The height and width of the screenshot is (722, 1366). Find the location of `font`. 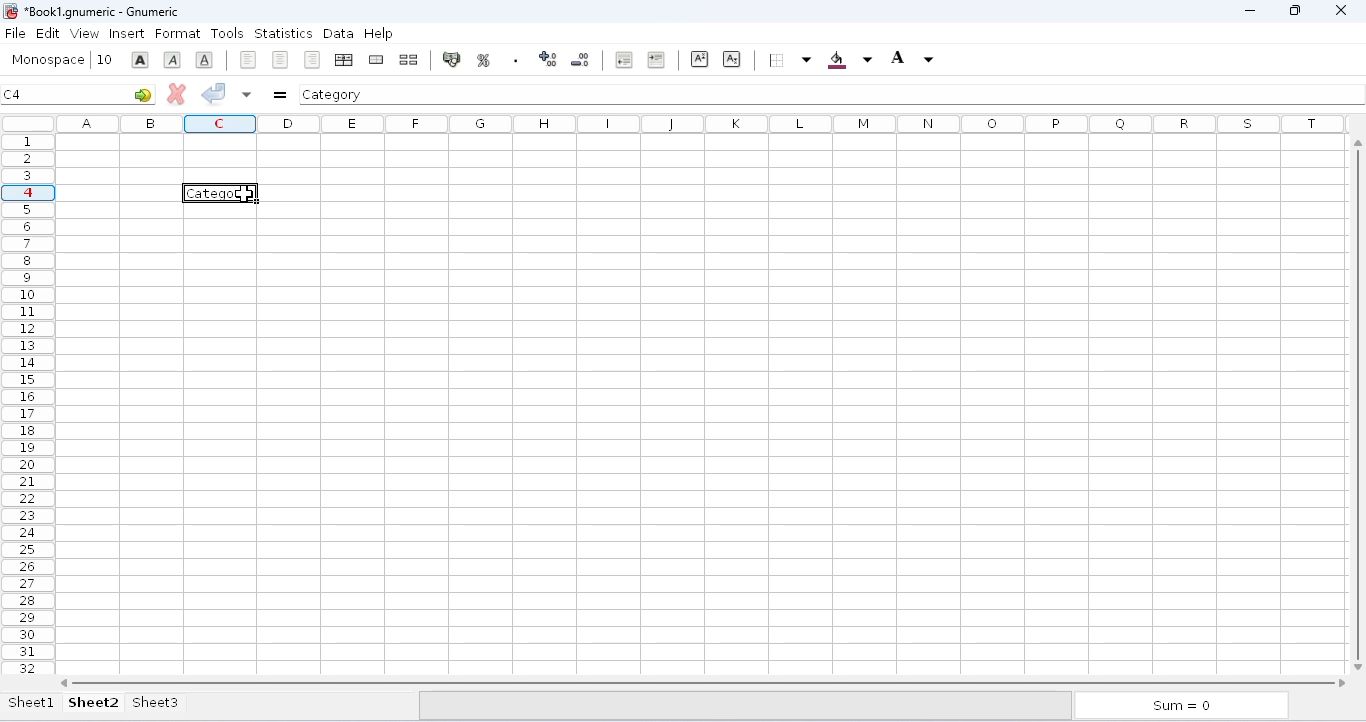

font is located at coordinates (47, 60).